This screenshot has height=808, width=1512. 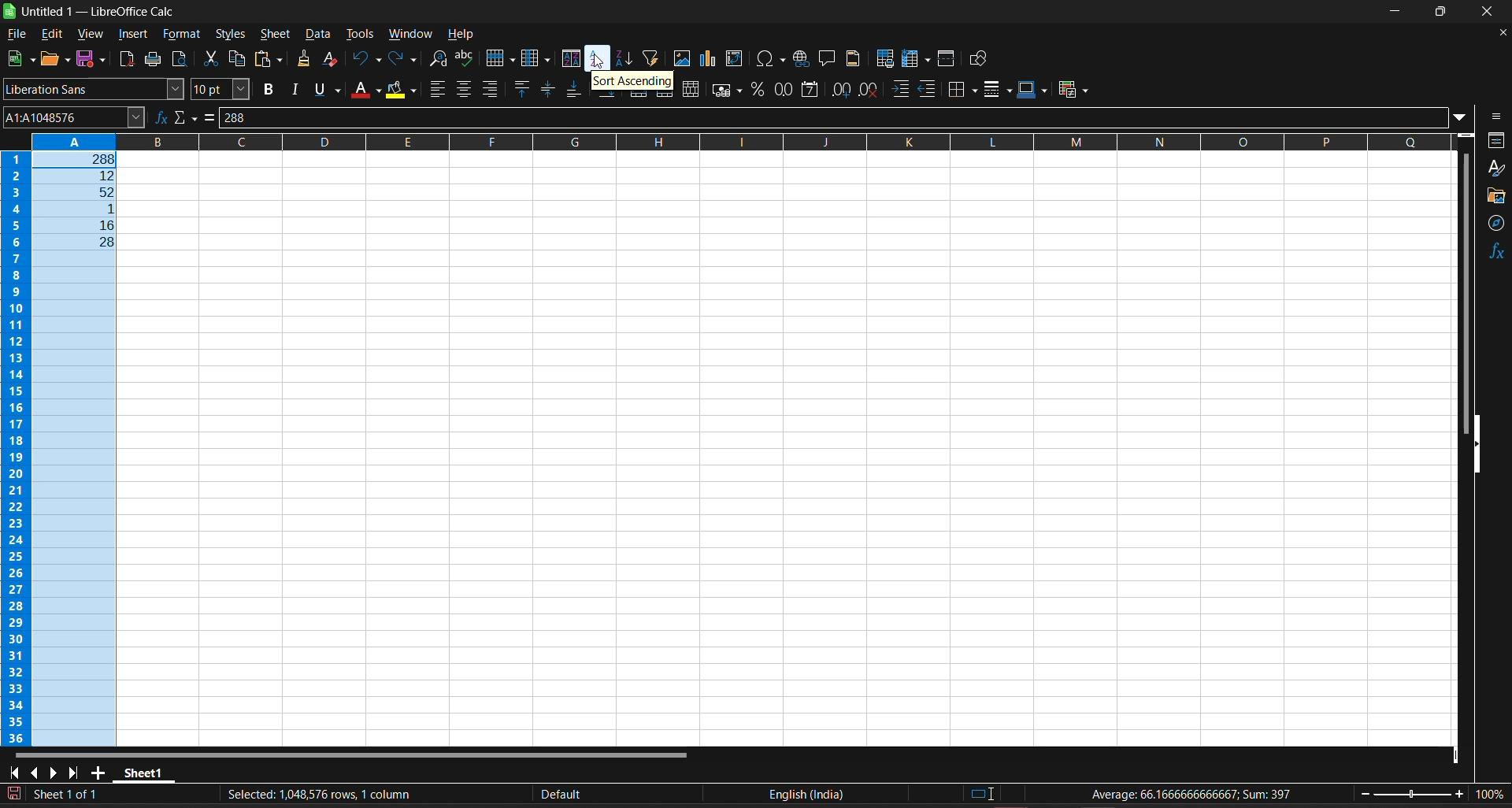 I want to click on select function, so click(x=186, y=118).